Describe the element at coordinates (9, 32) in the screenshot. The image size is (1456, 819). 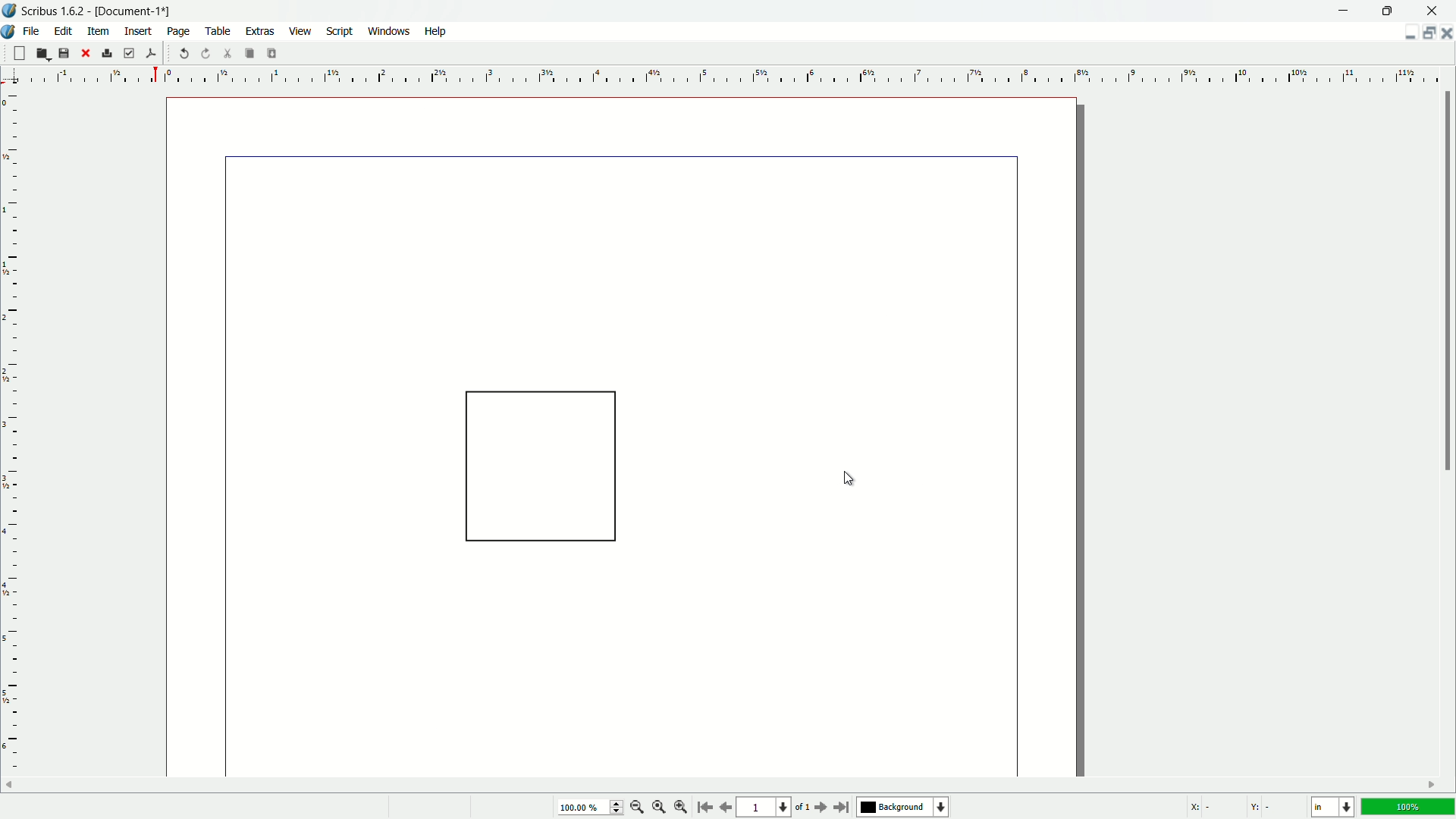
I see `app icon` at that location.